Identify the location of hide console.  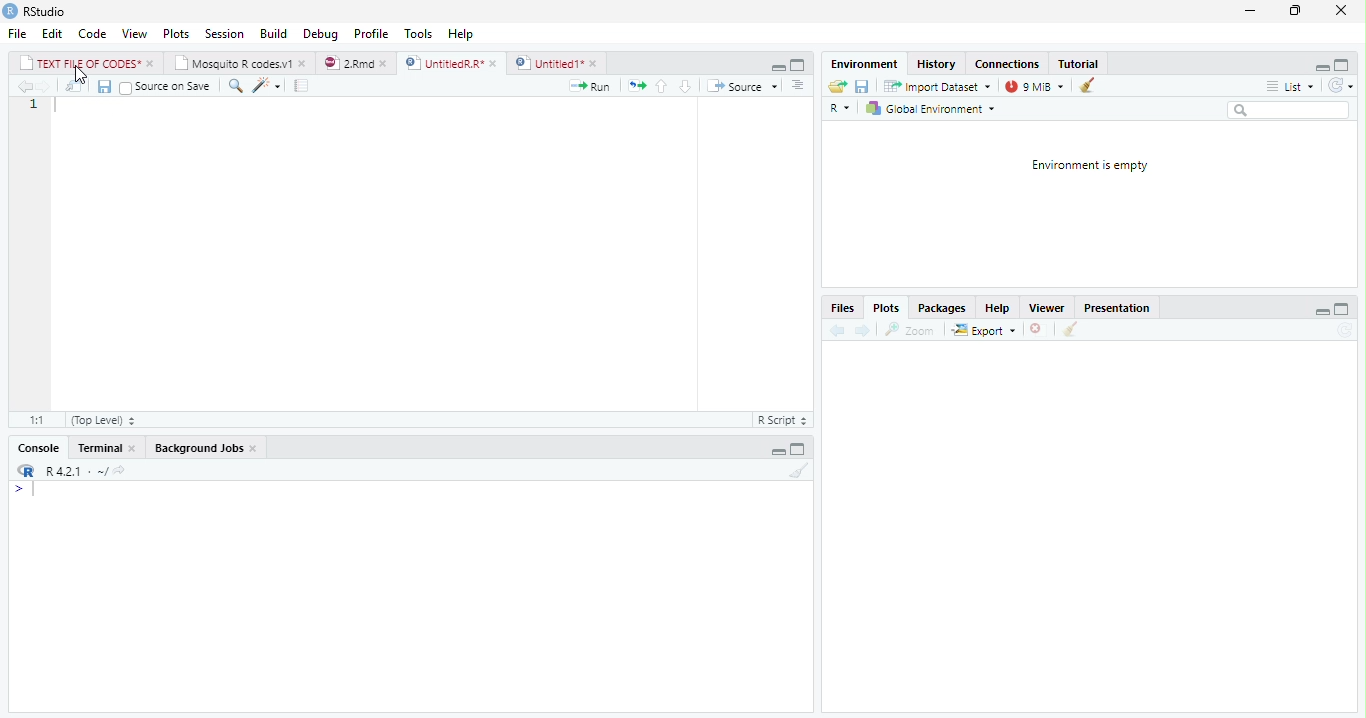
(798, 64).